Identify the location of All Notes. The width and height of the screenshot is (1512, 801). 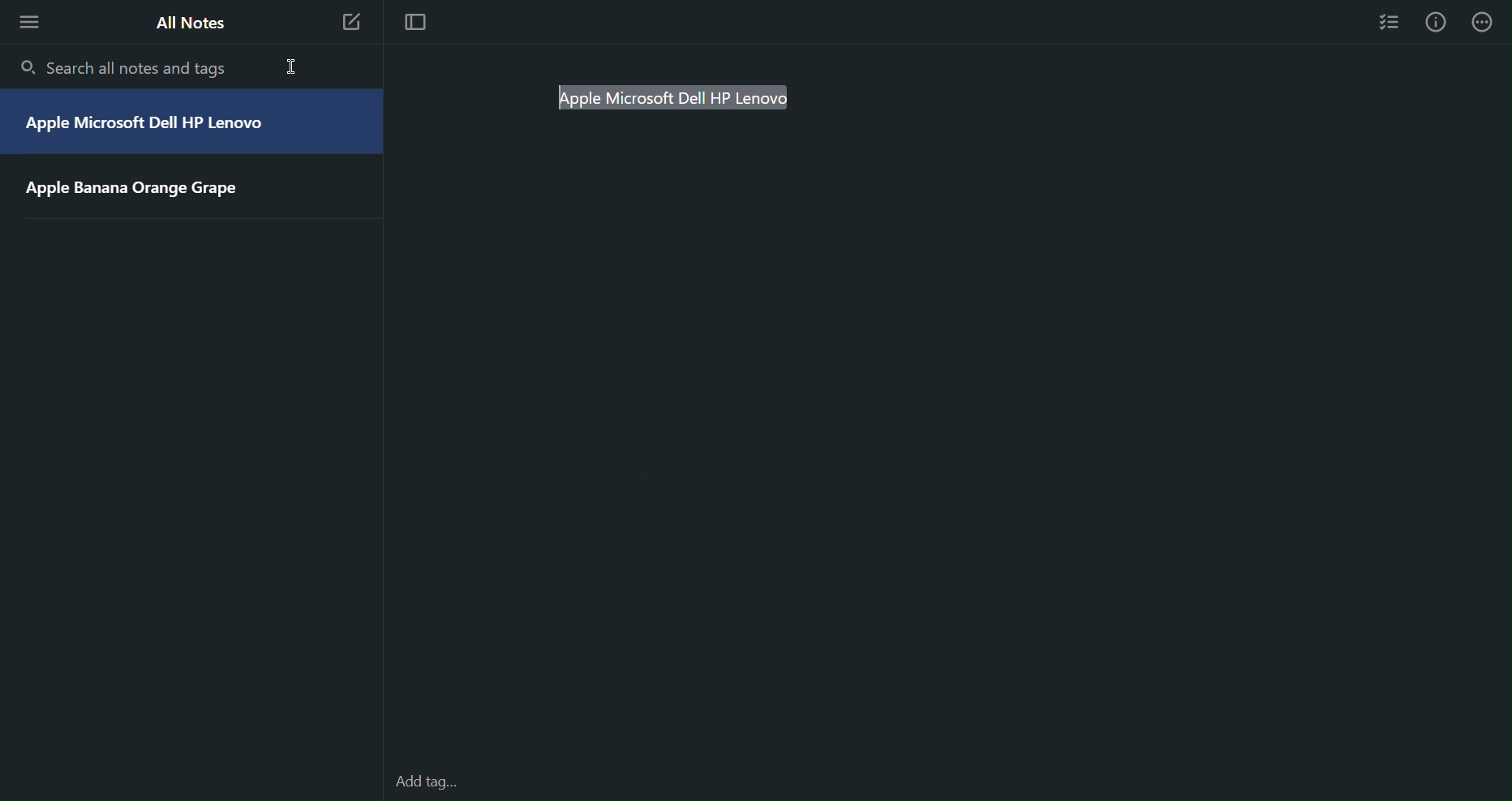
(190, 26).